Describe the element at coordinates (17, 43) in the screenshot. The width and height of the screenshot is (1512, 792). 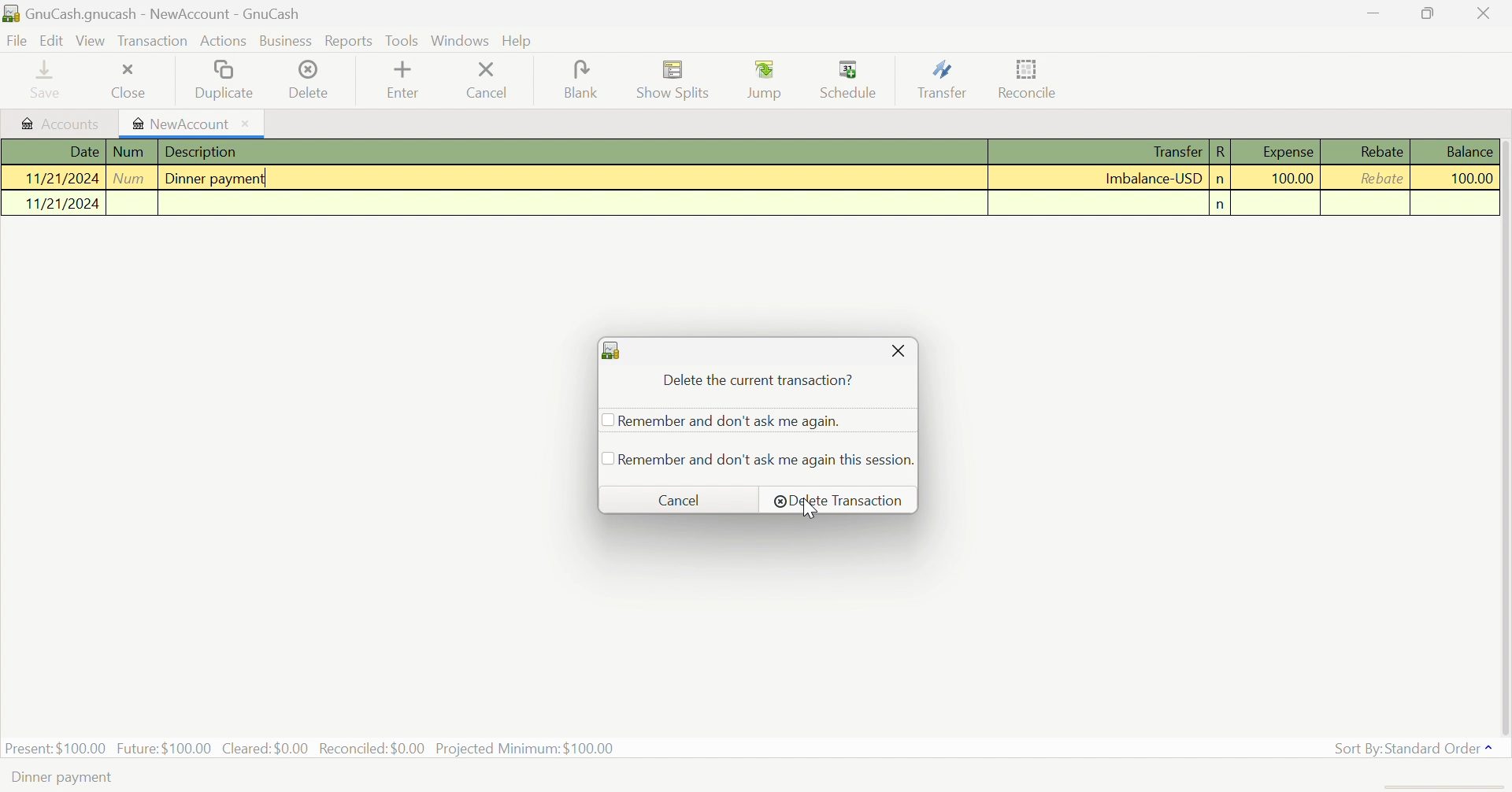
I see `File` at that location.